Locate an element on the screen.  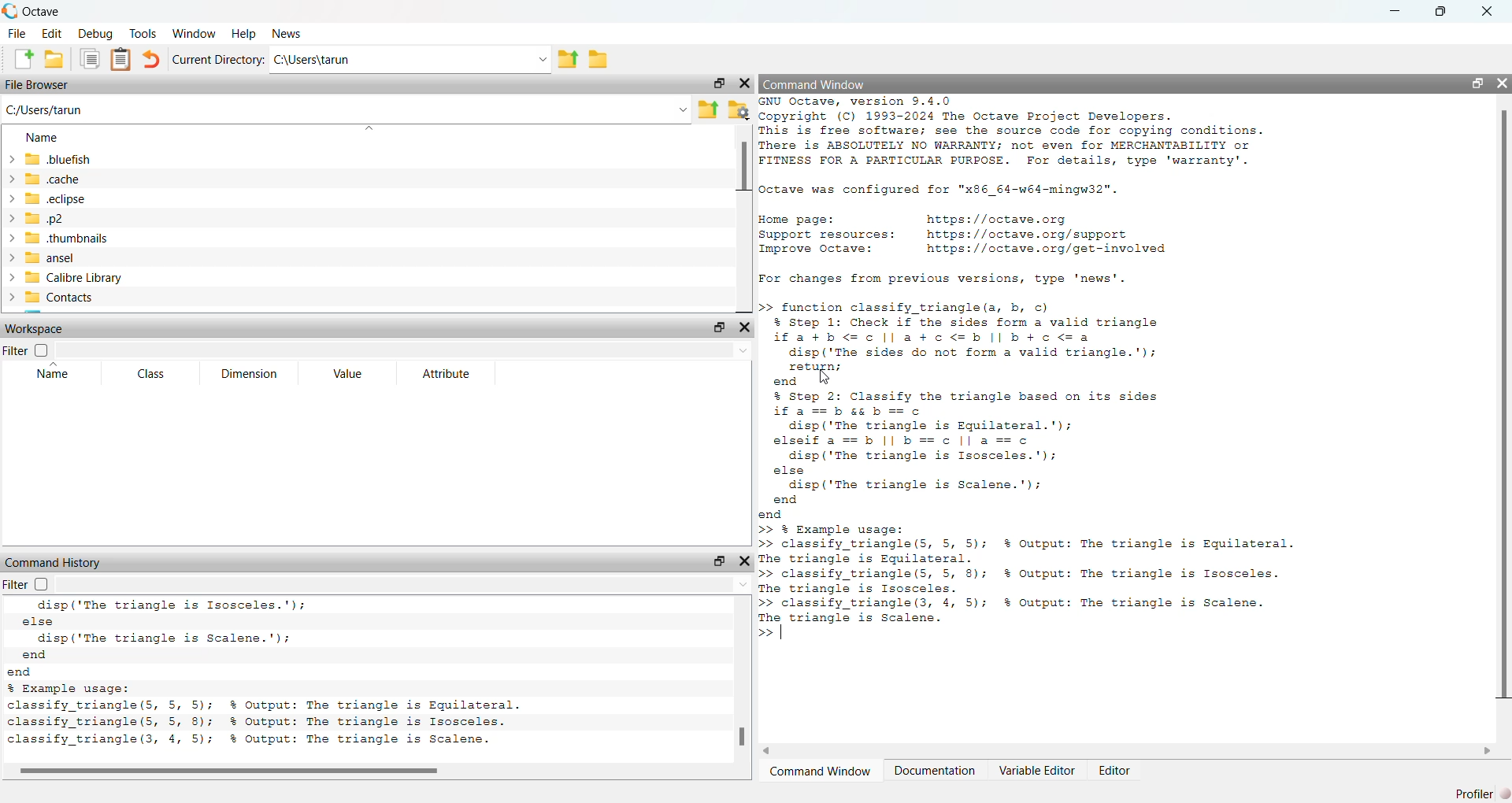
workspace is located at coordinates (37, 327).